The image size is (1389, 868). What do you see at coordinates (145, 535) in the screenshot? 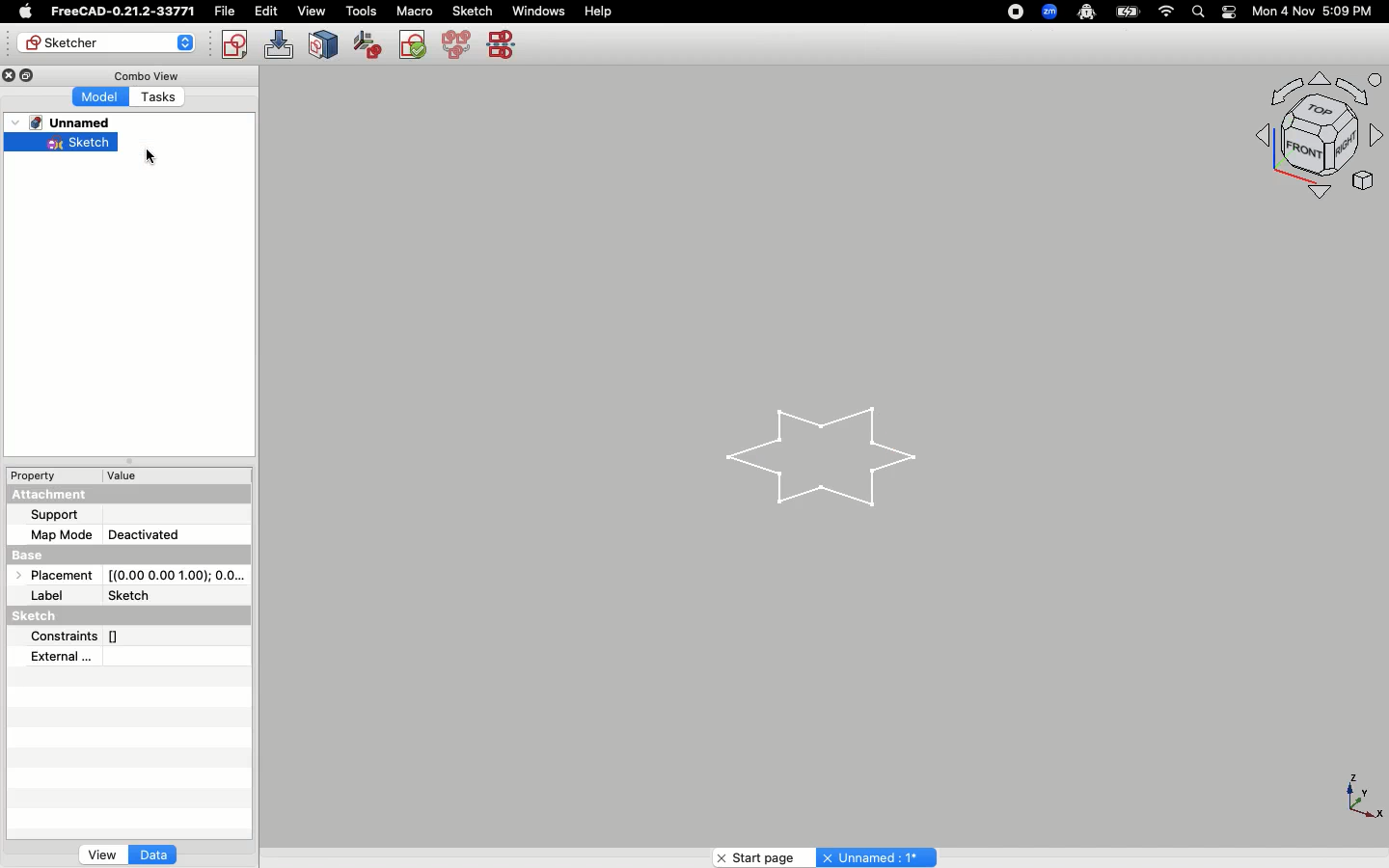
I see `Deactivated` at bounding box center [145, 535].